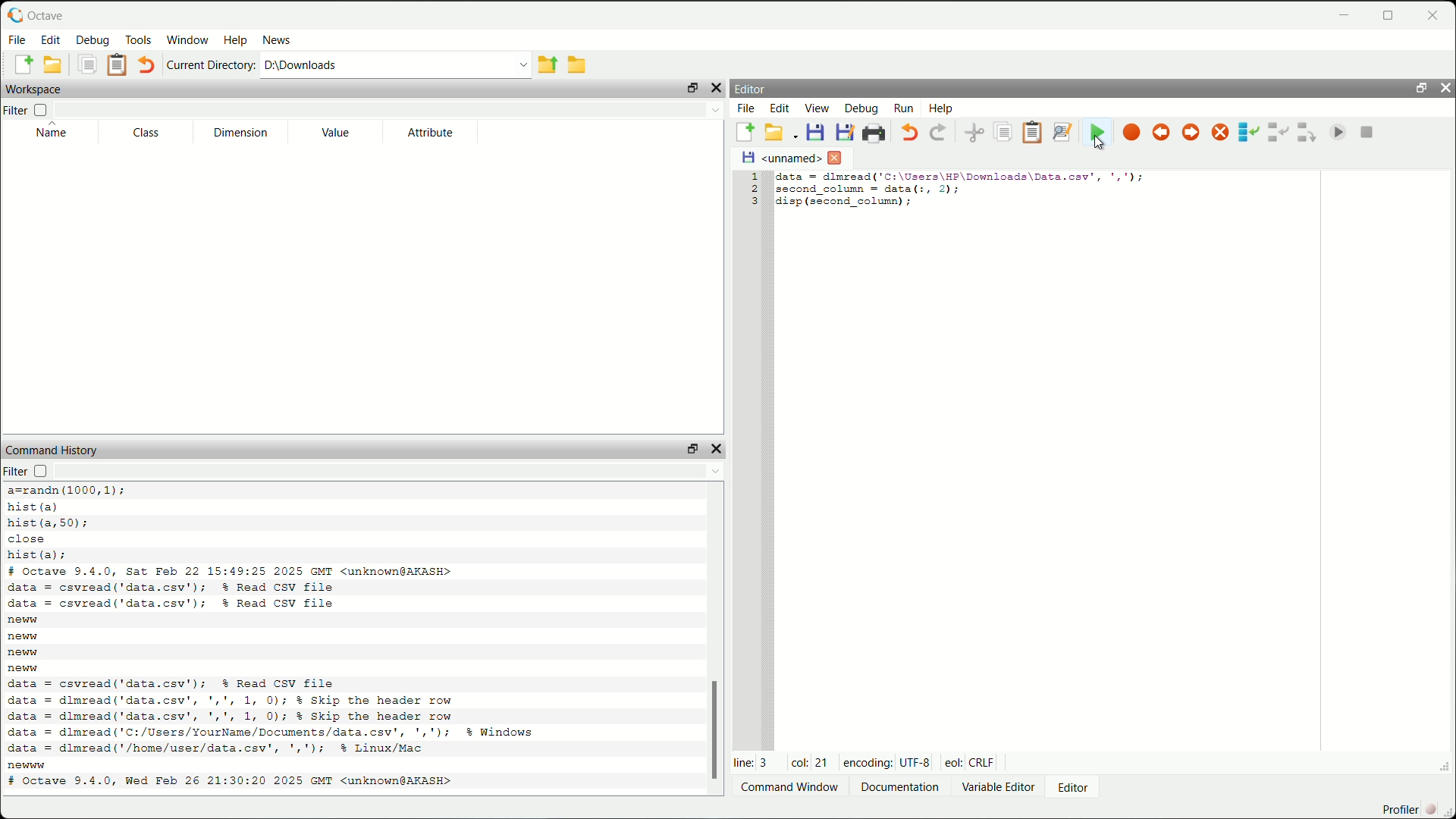 The width and height of the screenshot is (1456, 819). What do you see at coordinates (1442, 767) in the screenshot?
I see `expand` at bounding box center [1442, 767].